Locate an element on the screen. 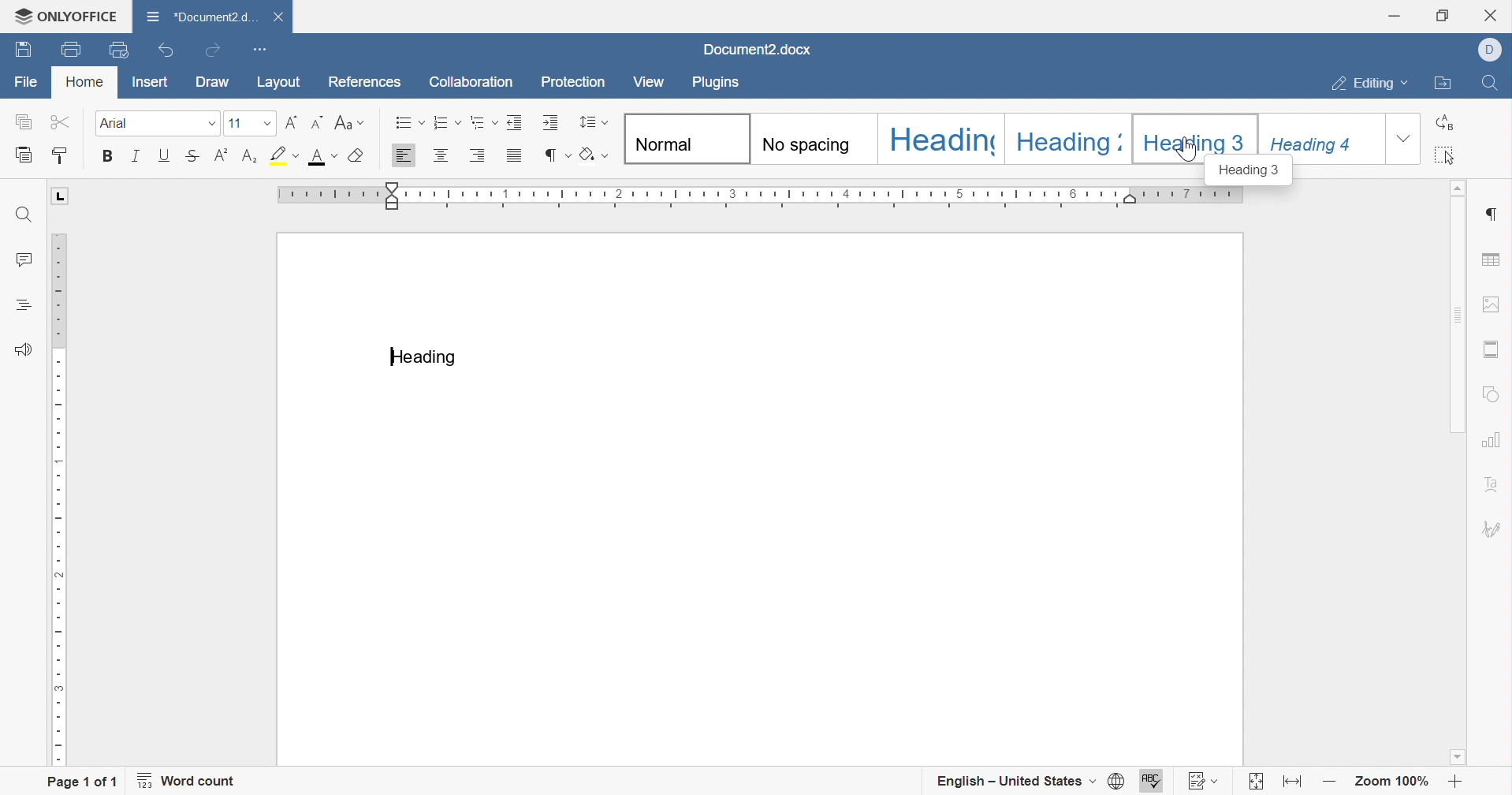  Save is located at coordinates (20, 51).